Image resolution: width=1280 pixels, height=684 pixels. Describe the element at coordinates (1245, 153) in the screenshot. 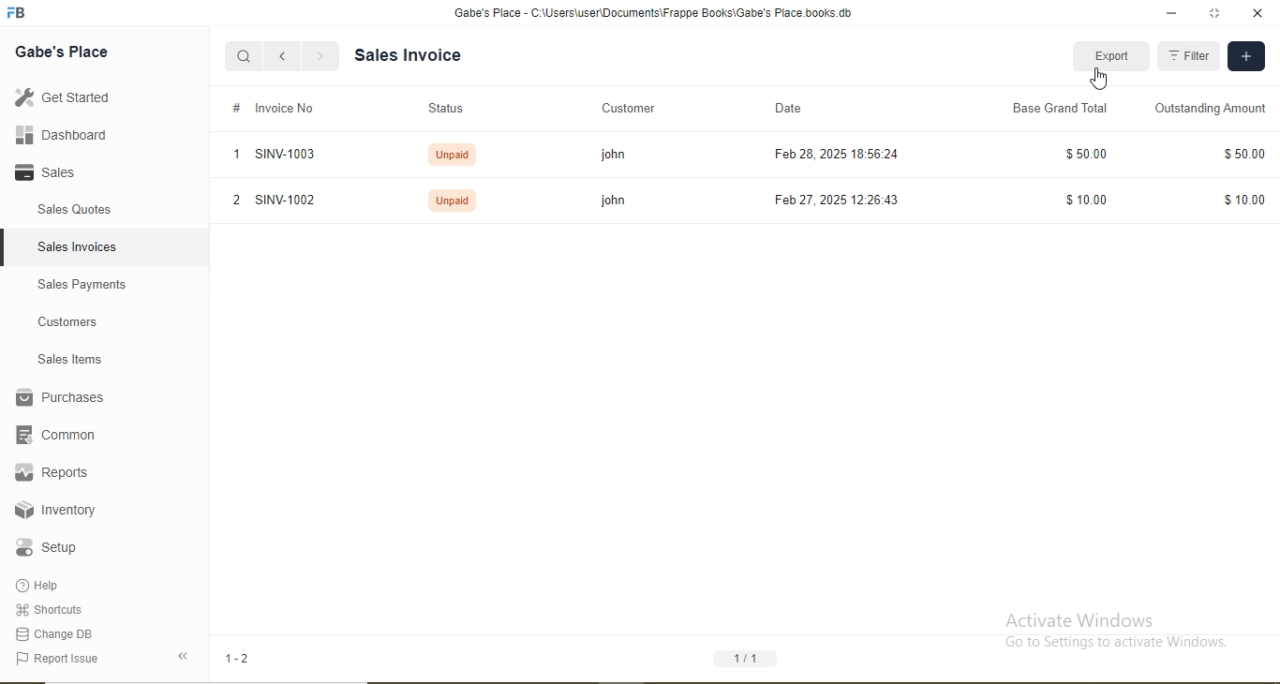

I see `$5000` at that location.